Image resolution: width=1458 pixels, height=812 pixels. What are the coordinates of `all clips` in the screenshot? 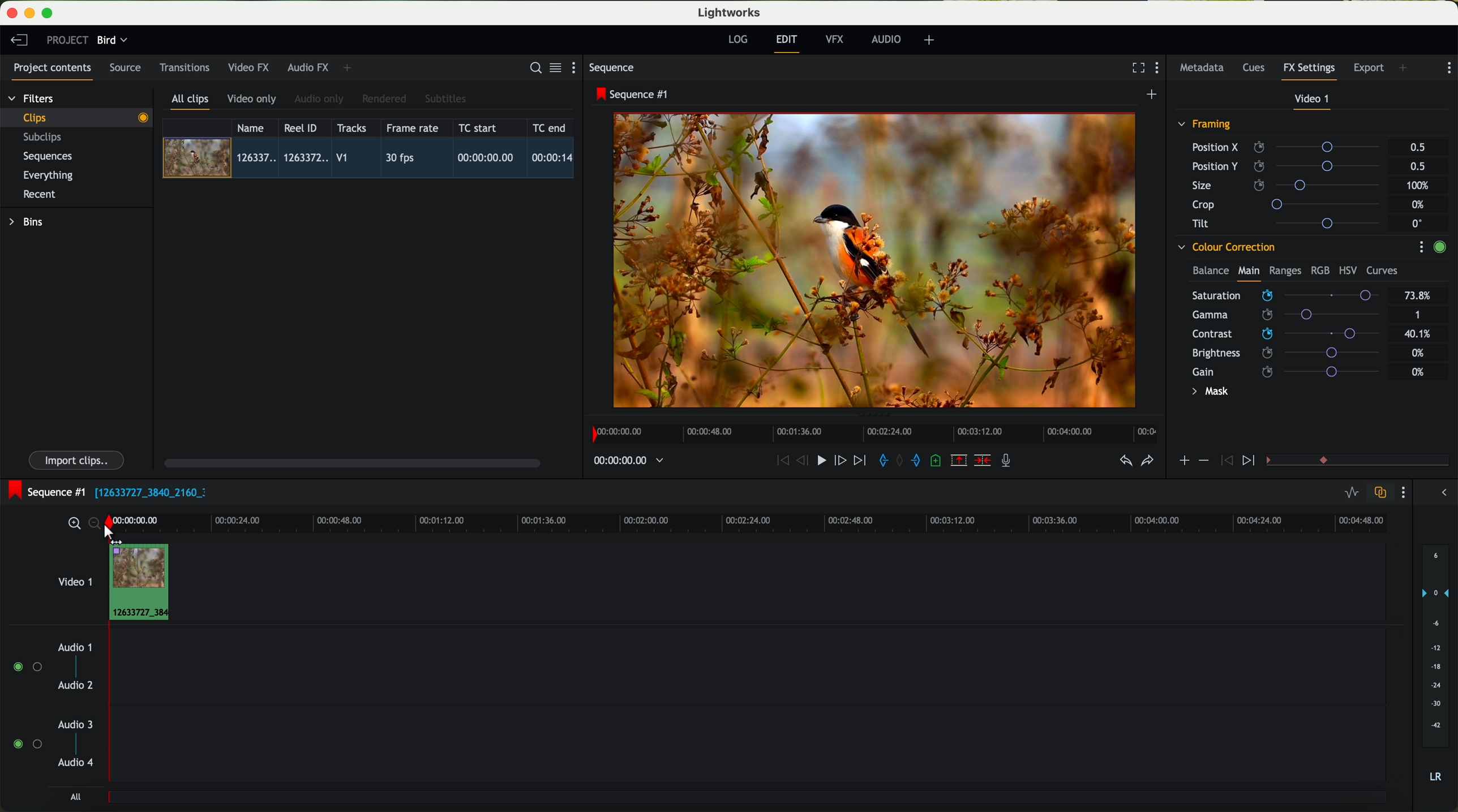 It's located at (191, 102).